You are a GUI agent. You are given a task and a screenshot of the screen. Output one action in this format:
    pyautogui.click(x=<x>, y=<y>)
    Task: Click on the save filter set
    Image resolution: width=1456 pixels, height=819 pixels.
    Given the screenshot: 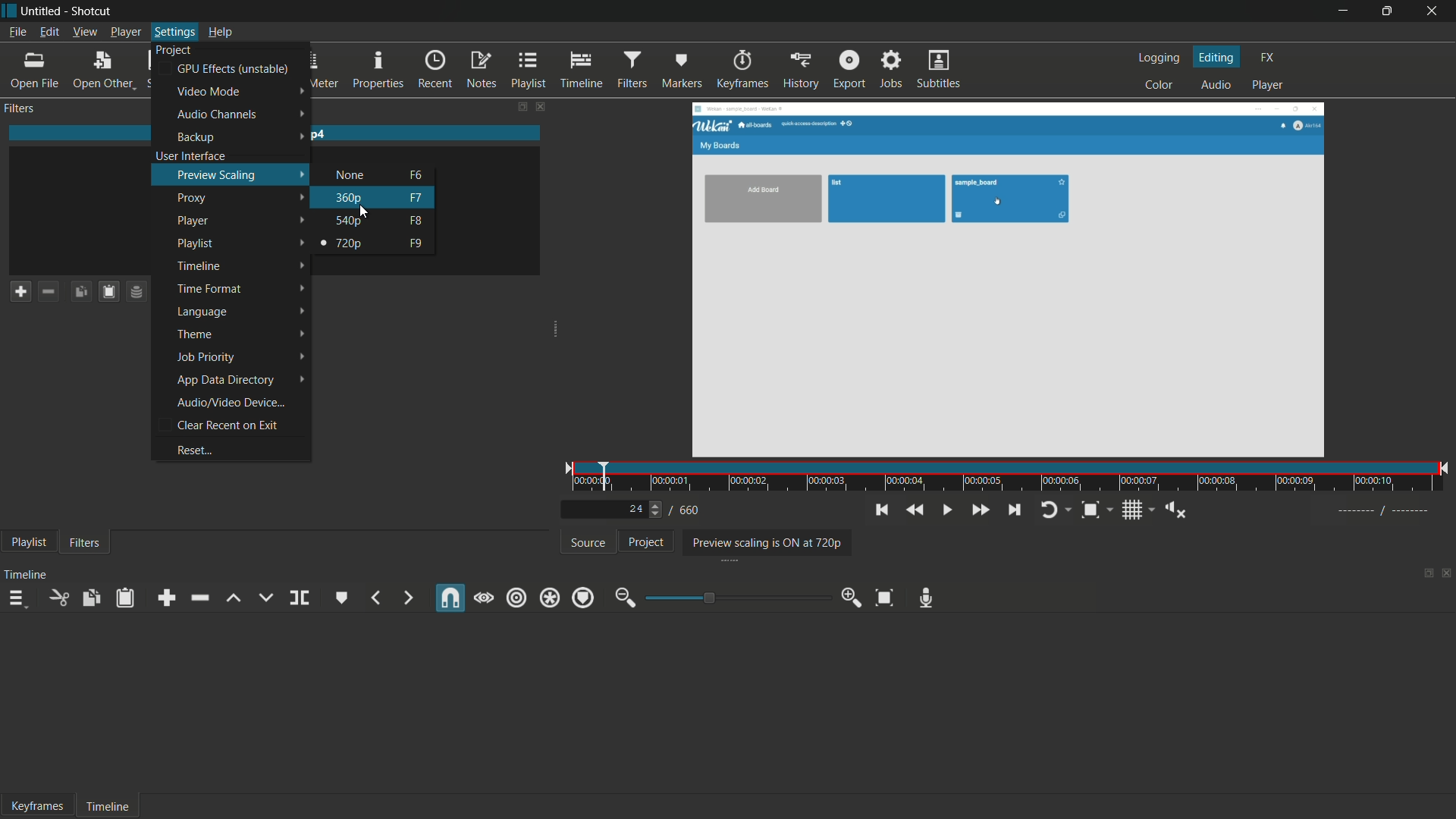 What is the action you would take?
    pyautogui.click(x=137, y=293)
    